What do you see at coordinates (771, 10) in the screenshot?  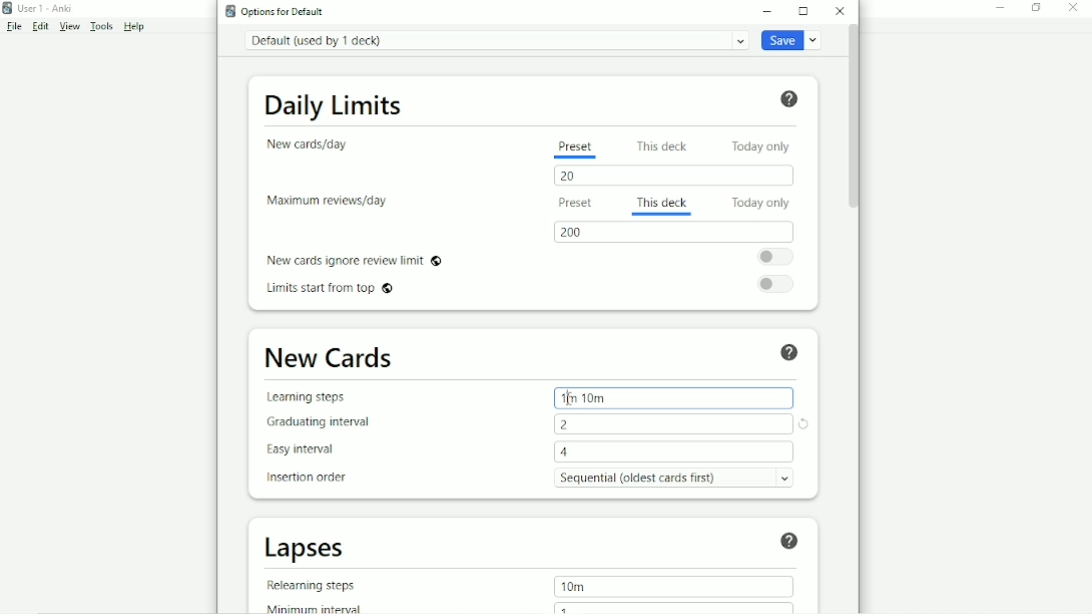 I see `Minimize` at bounding box center [771, 10].